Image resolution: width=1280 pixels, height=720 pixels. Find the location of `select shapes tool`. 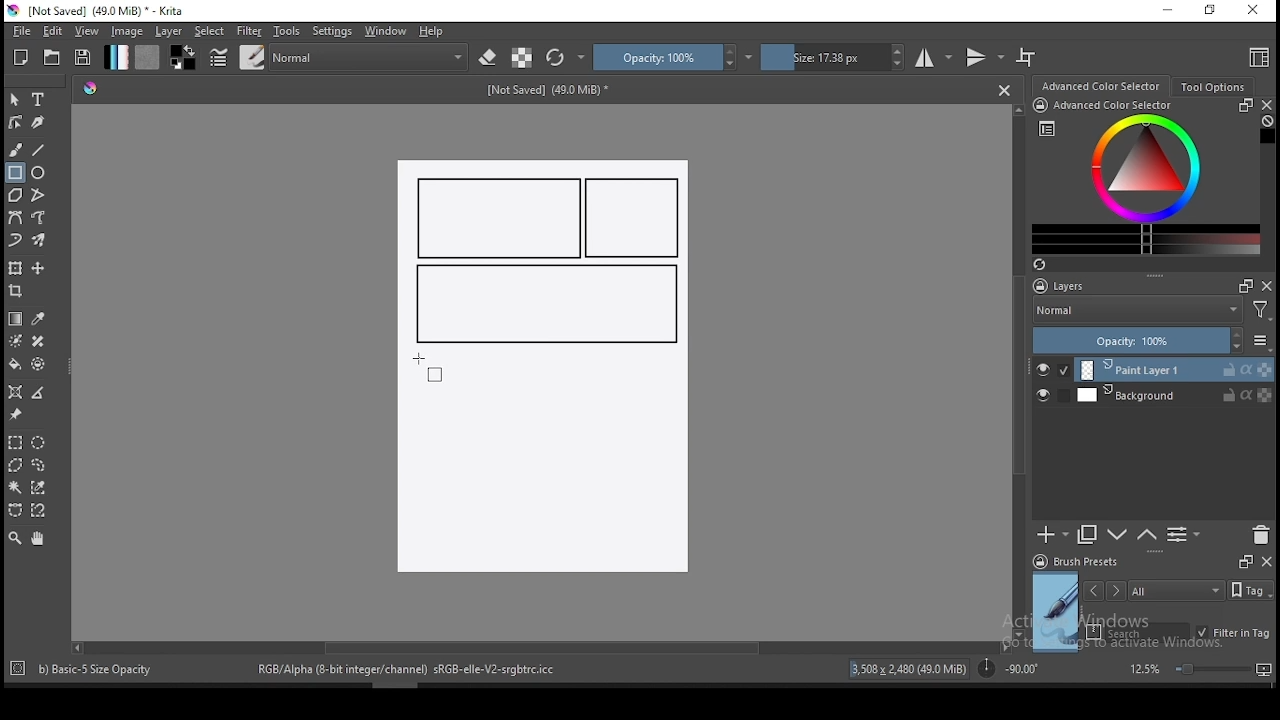

select shapes tool is located at coordinates (15, 99).